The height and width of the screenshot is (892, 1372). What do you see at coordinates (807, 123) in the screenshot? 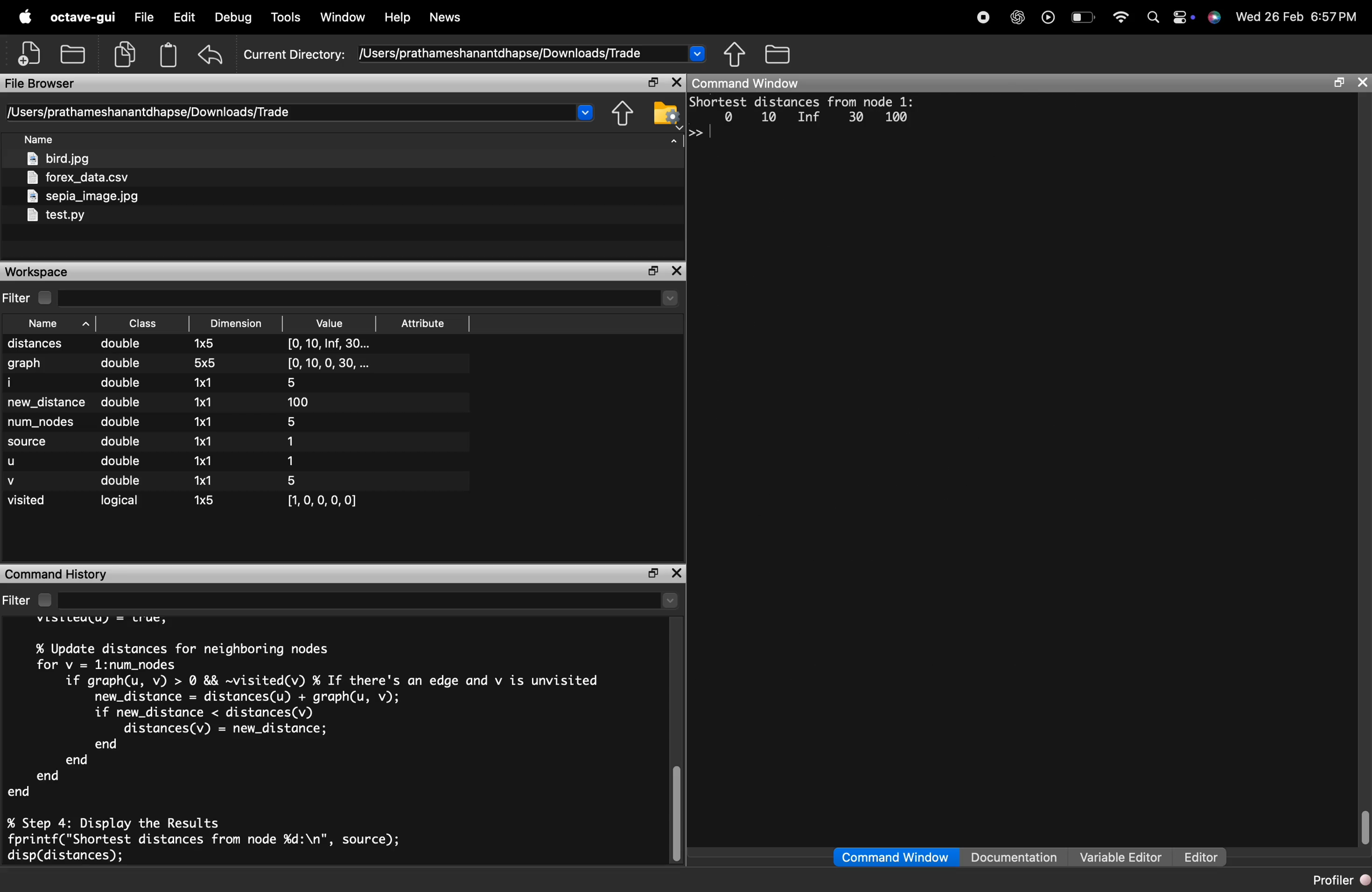
I see `Portest distances Frun node 1: 0 10 Inf 30 100` at bounding box center [807, 123].